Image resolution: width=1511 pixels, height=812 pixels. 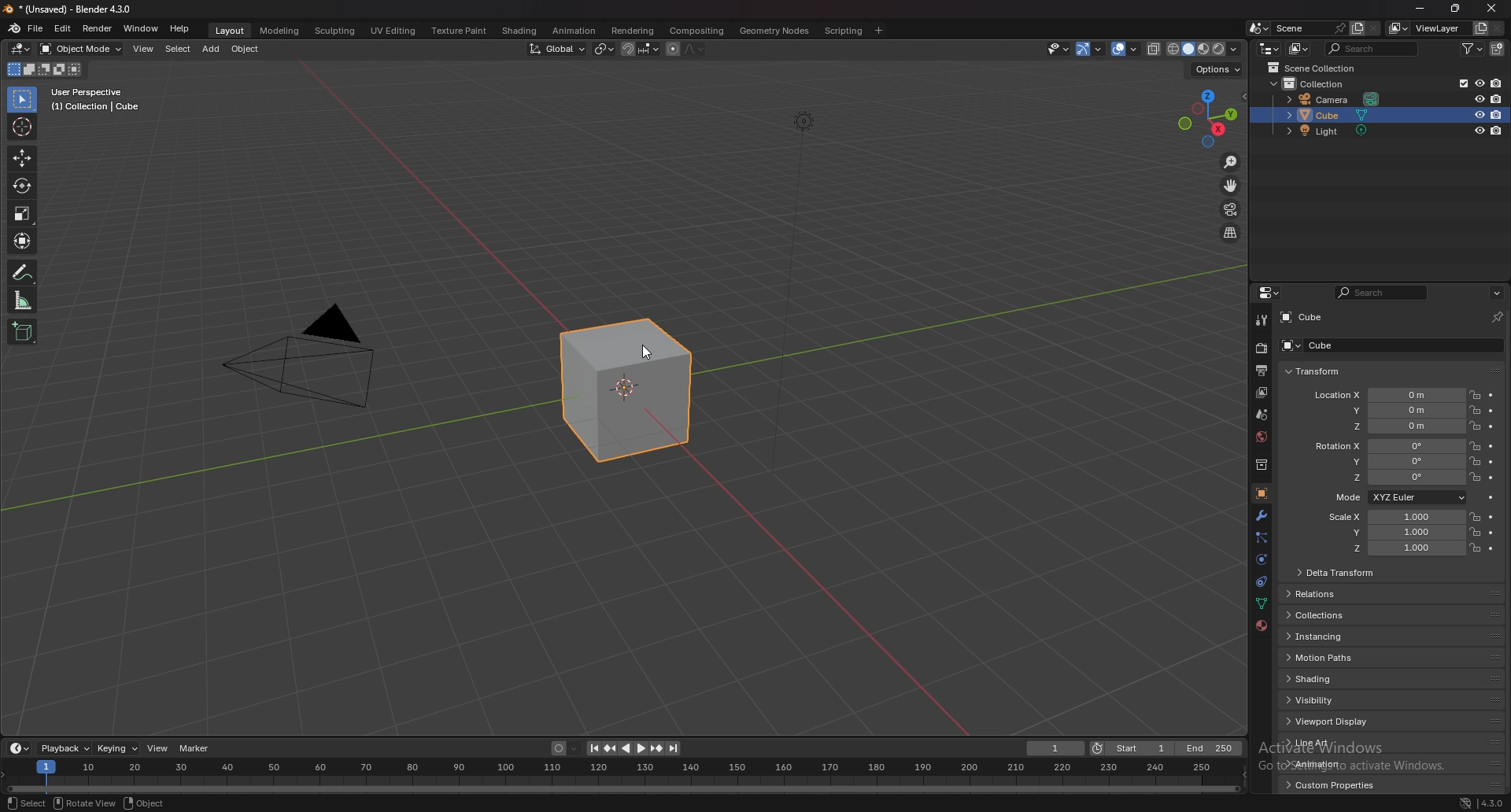 I want to click on add, so click(x=211, y=50).